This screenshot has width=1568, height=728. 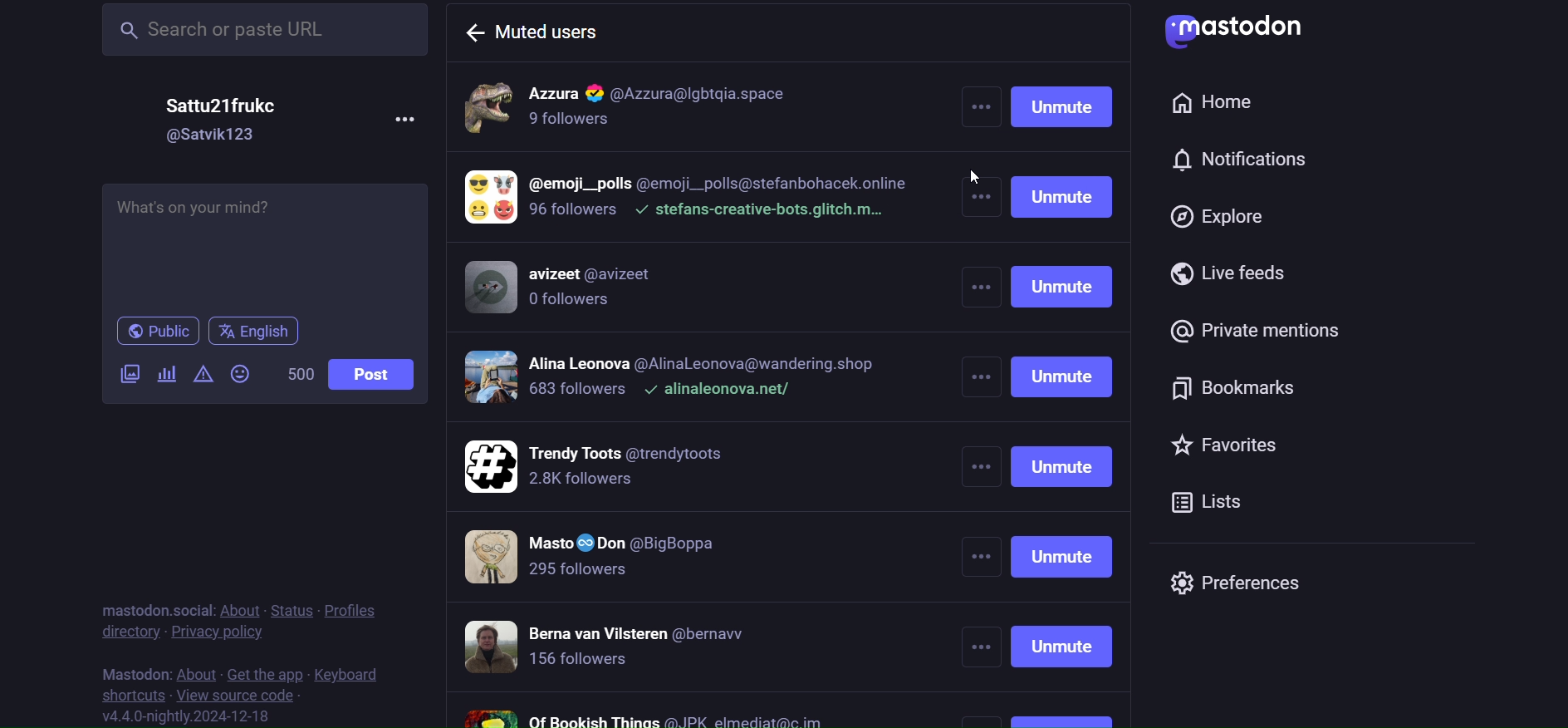 I want to click on muted accounts 2, so click(x=690, y=199).